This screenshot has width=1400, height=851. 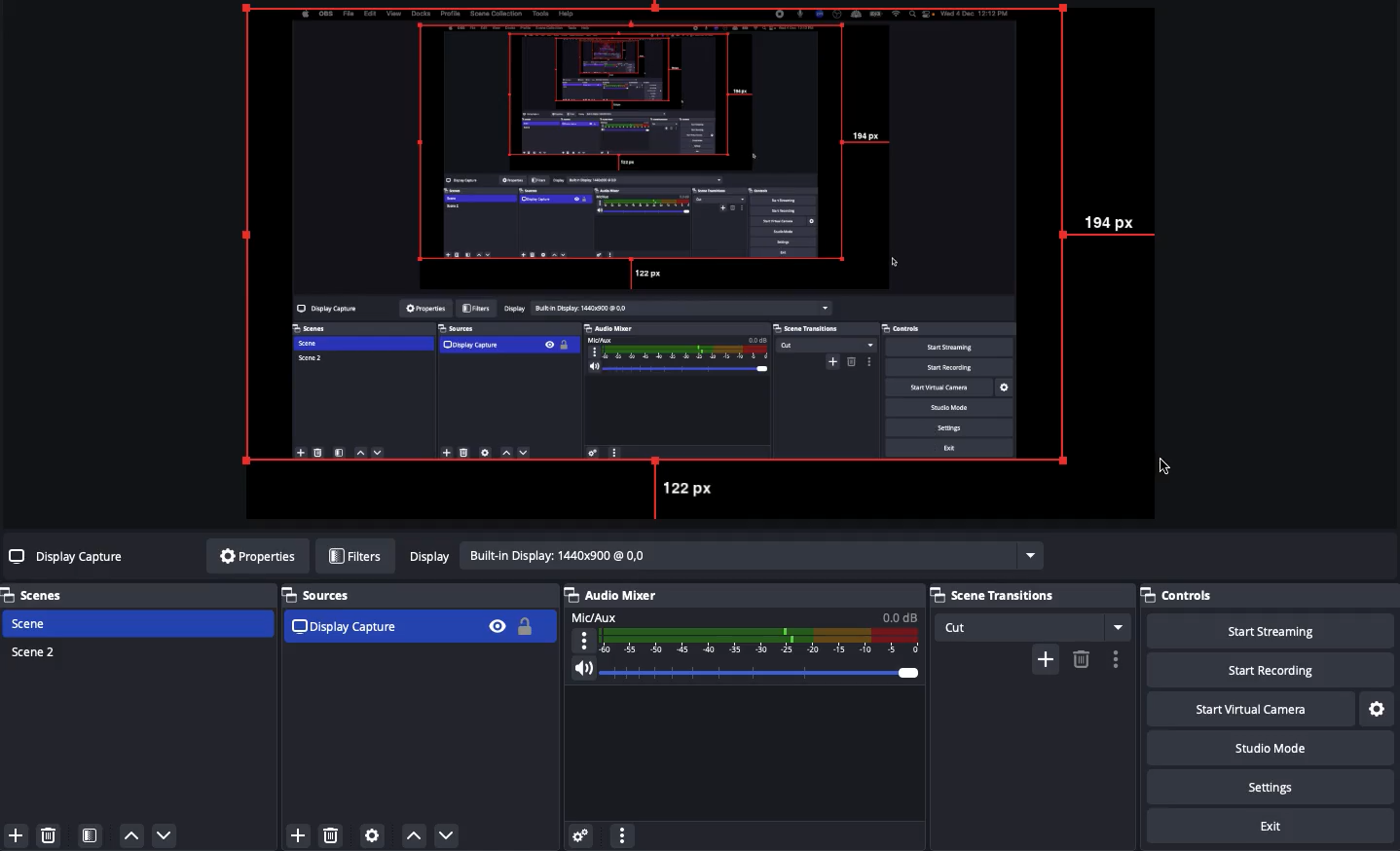 What do you see at coordinates (1295, 671) in the screenshot?
I see `Start recording` at bounding box center [1295, 671].